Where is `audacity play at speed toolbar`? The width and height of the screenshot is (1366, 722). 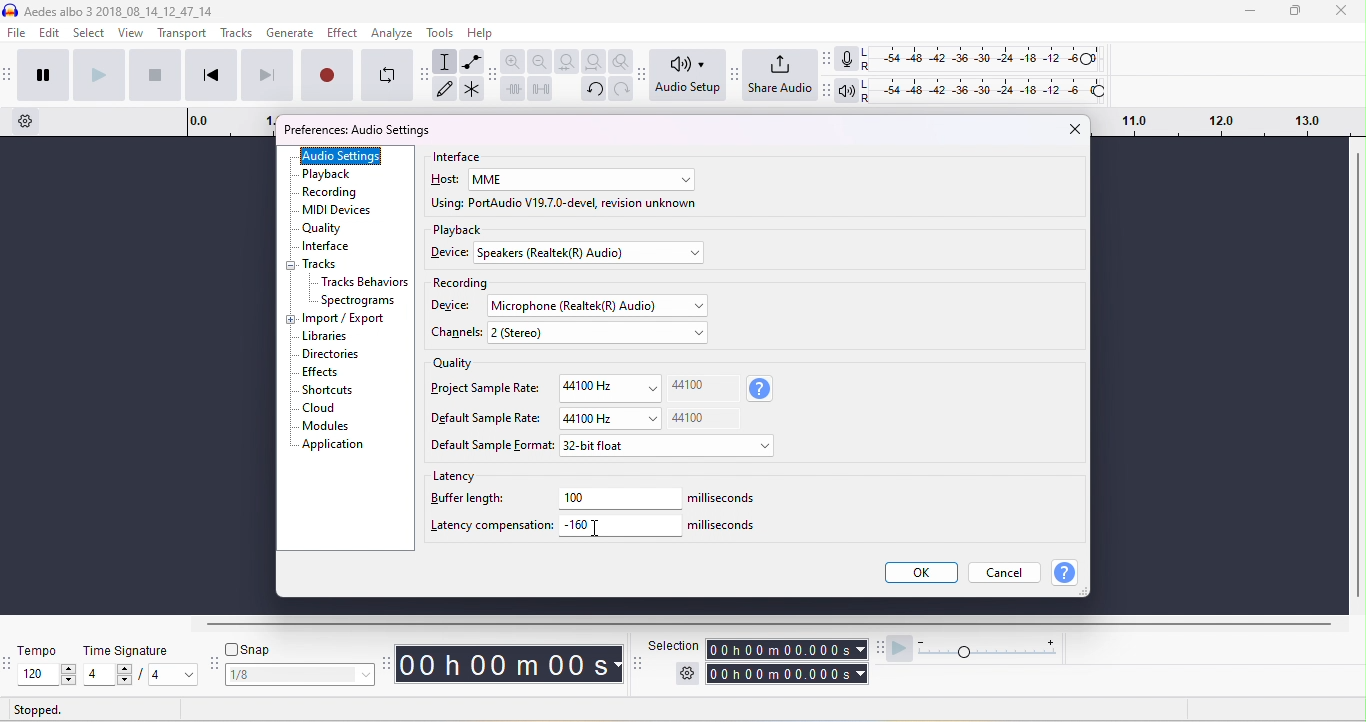
audacity play at speed toolbar is located at coordinates (881, 648).